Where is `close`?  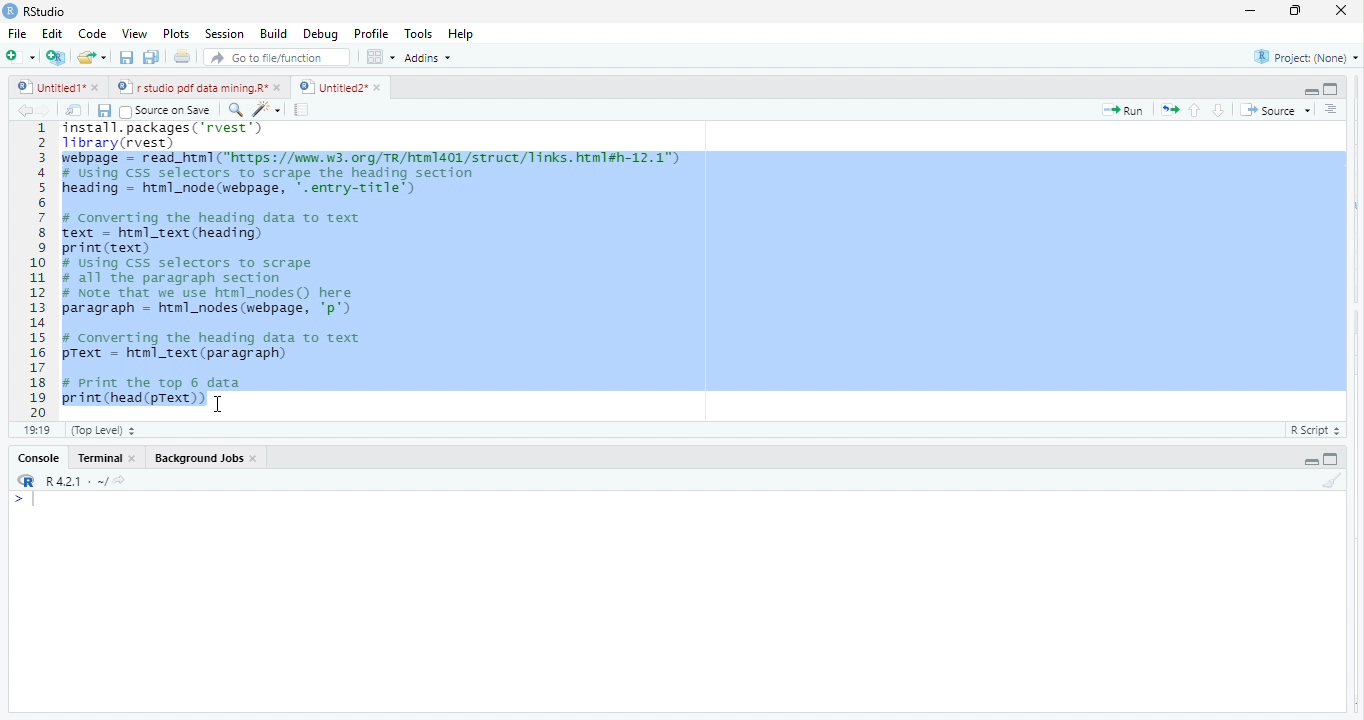 close is located at coordinates (137, 460).